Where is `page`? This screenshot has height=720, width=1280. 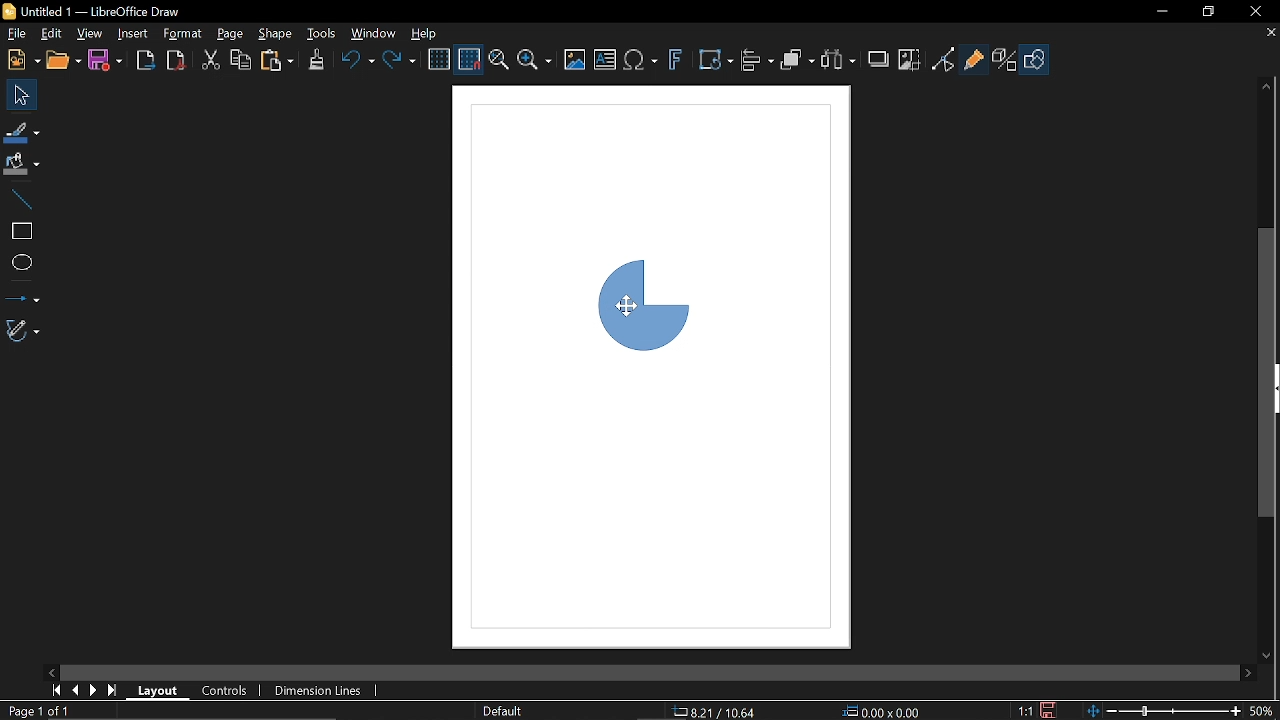 page is located at coordinates (230, 36).